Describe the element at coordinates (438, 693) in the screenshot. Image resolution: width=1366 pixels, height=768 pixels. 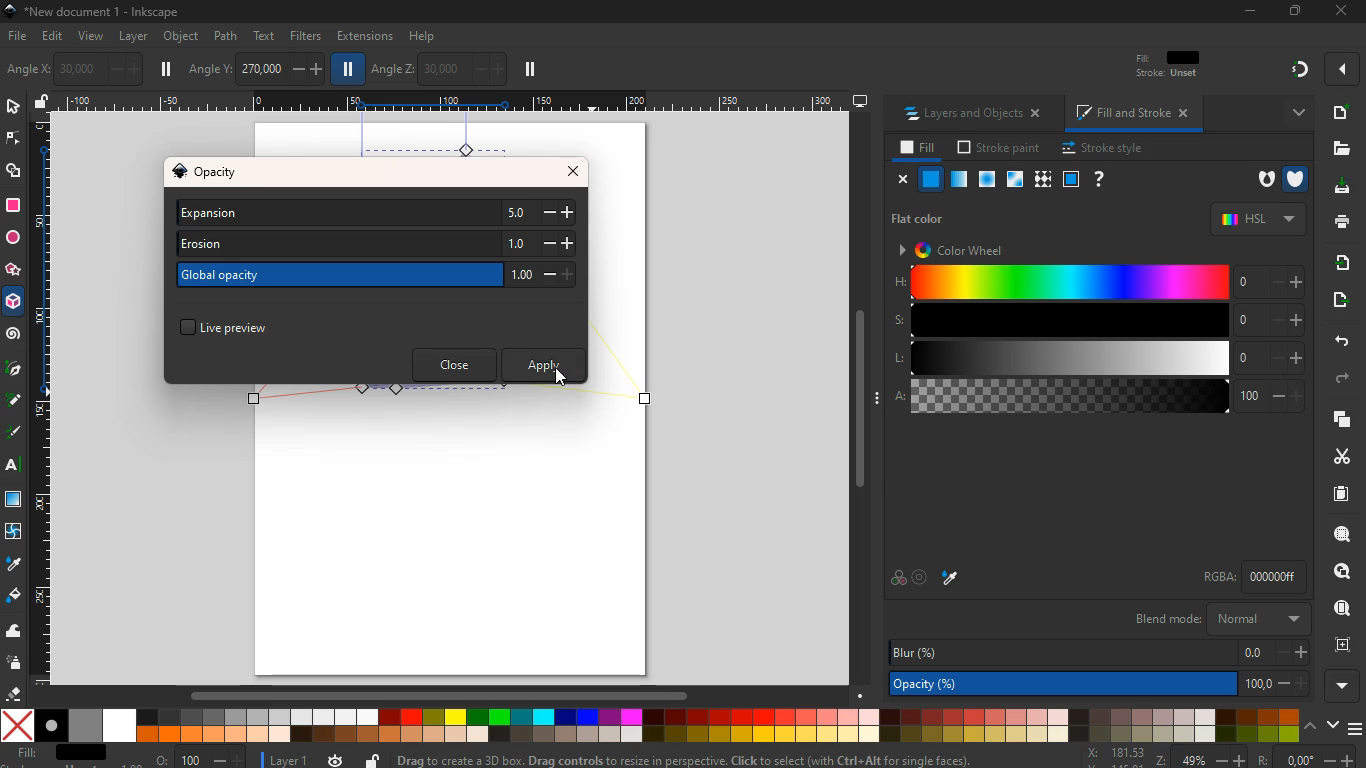
I see `Scrollbar` at that location.